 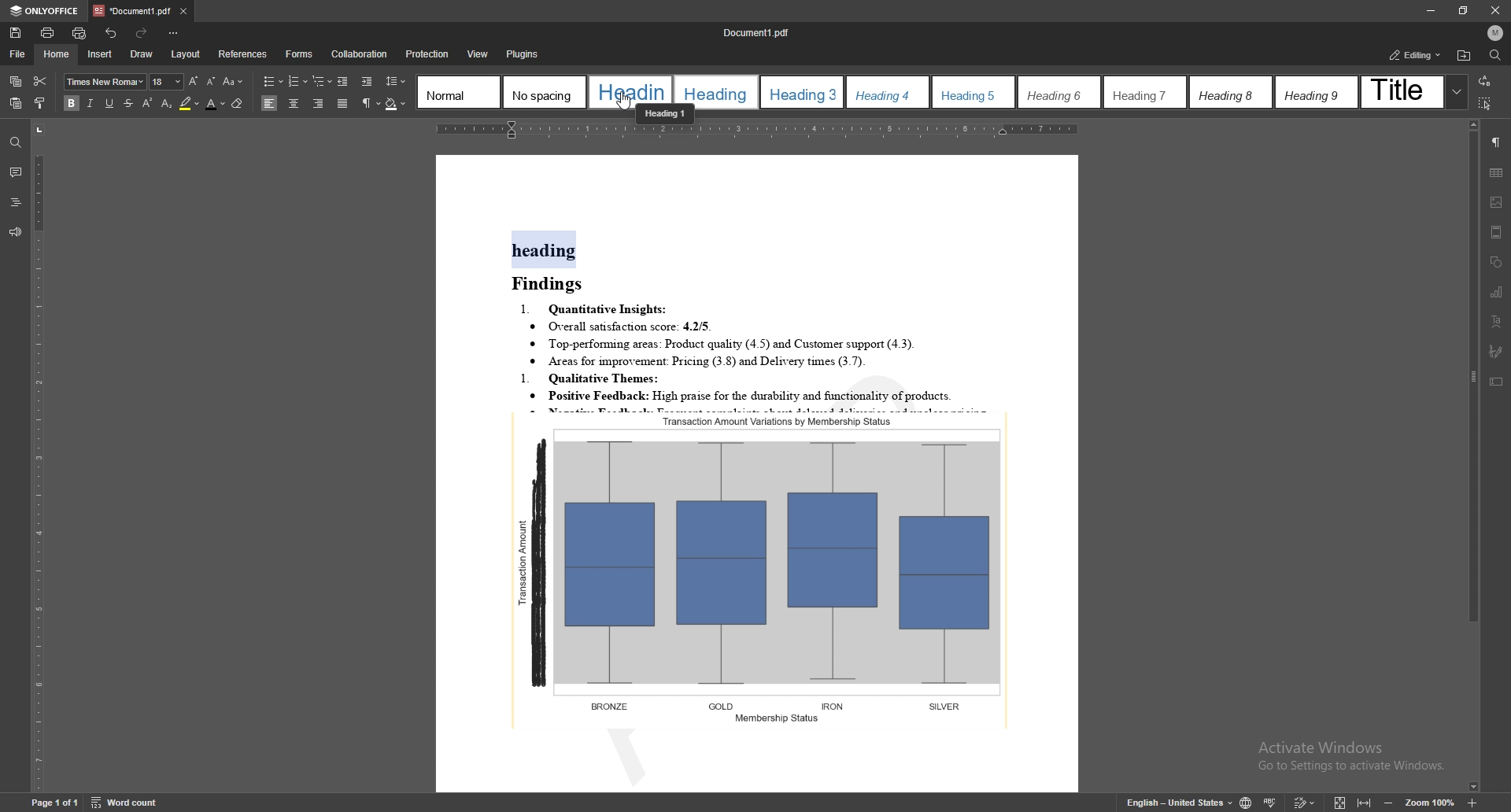 I want to click on word count, so click(x=133, y=803).